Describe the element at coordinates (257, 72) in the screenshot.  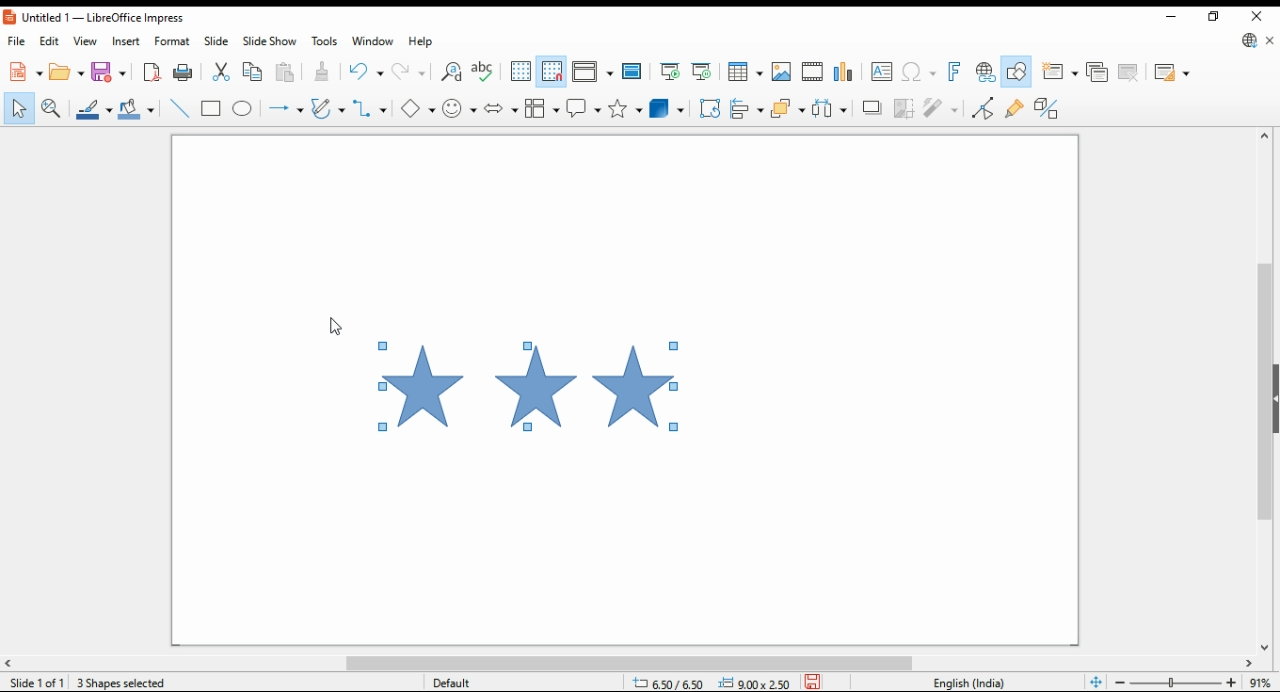
I see `copy` at that location.